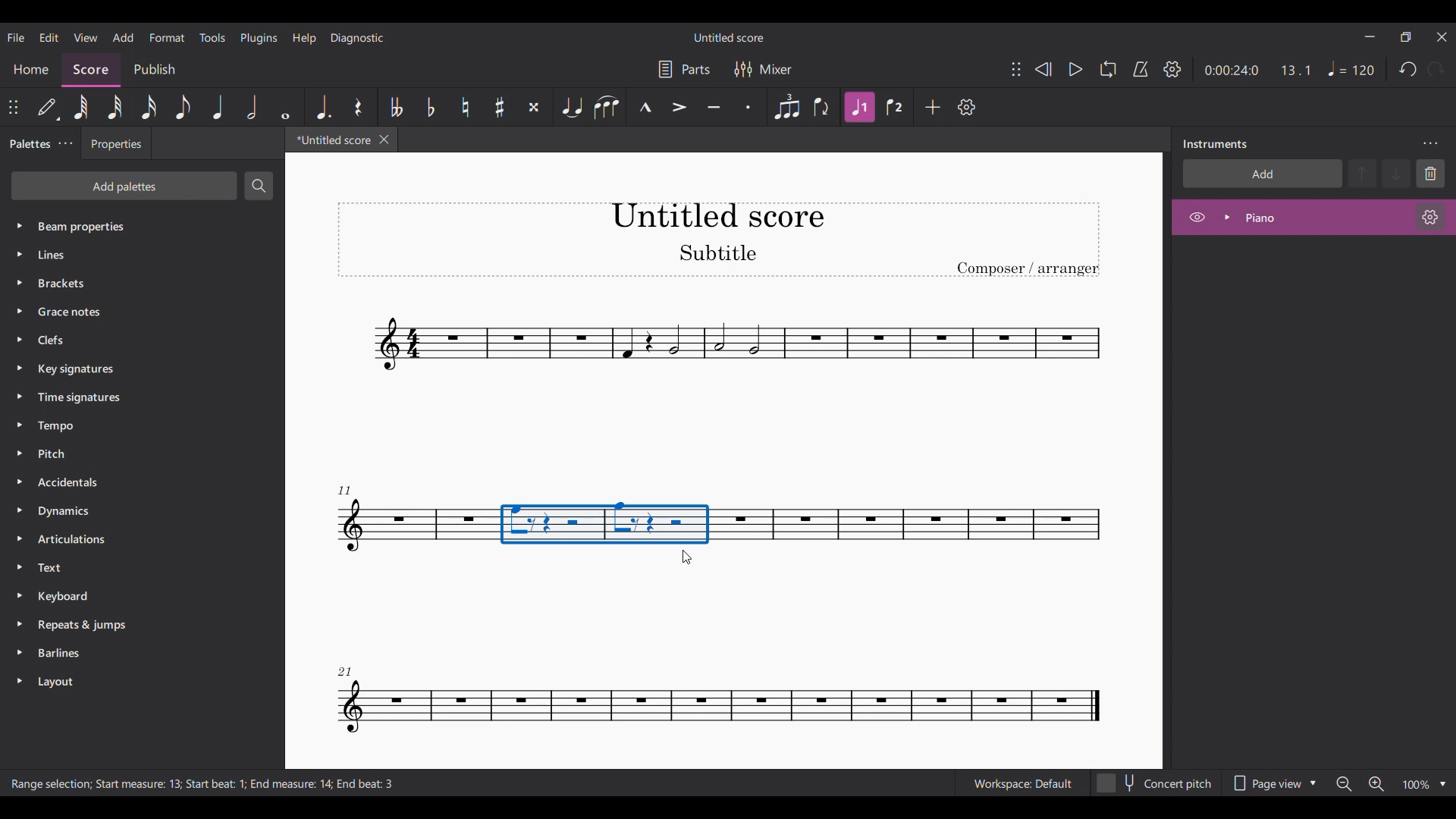 The width and height of the screenshot is (1456, 819). Describe the element at coordinates (787, 107) in the screenshot. I see `Tuplet` at that location.